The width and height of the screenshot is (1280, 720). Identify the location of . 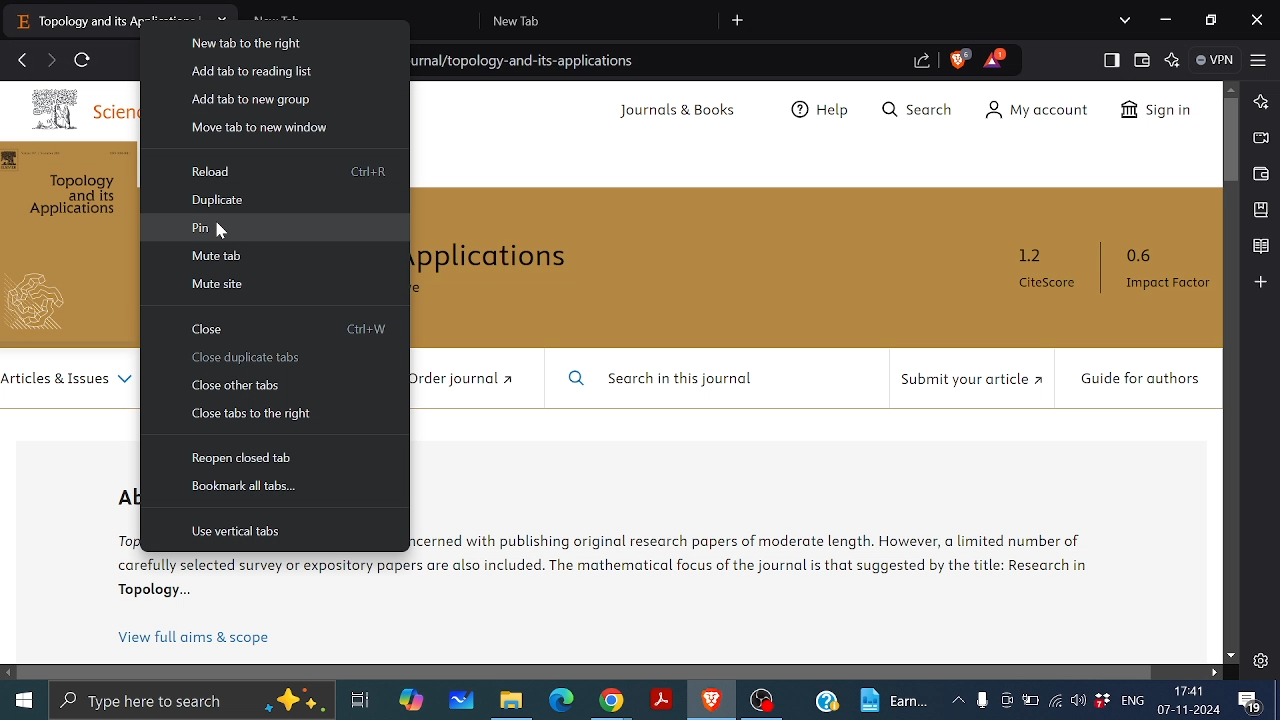
(46, 302).